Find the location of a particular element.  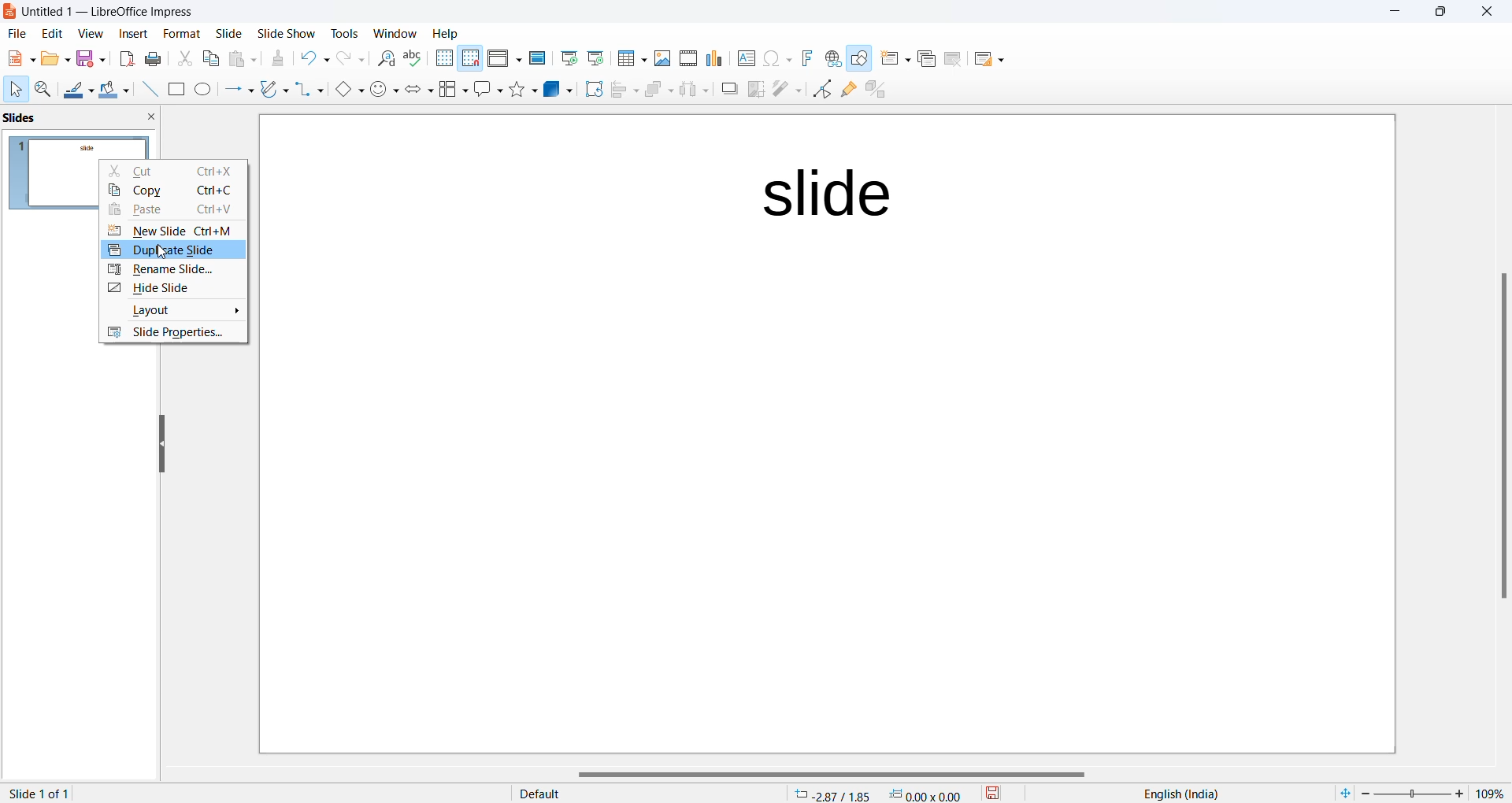

maximize is located at coordinates (1442, 15).